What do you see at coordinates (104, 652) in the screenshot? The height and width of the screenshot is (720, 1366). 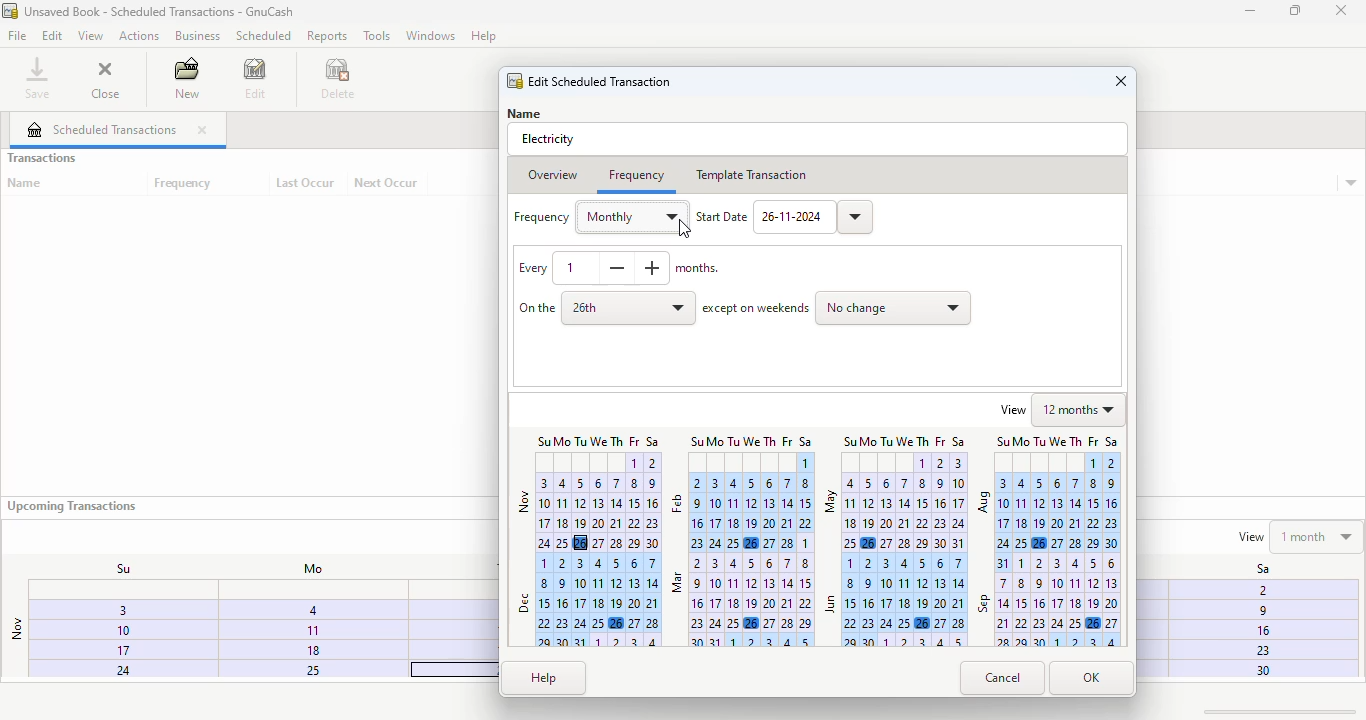 I see `17` at bounding box center [104, 652].